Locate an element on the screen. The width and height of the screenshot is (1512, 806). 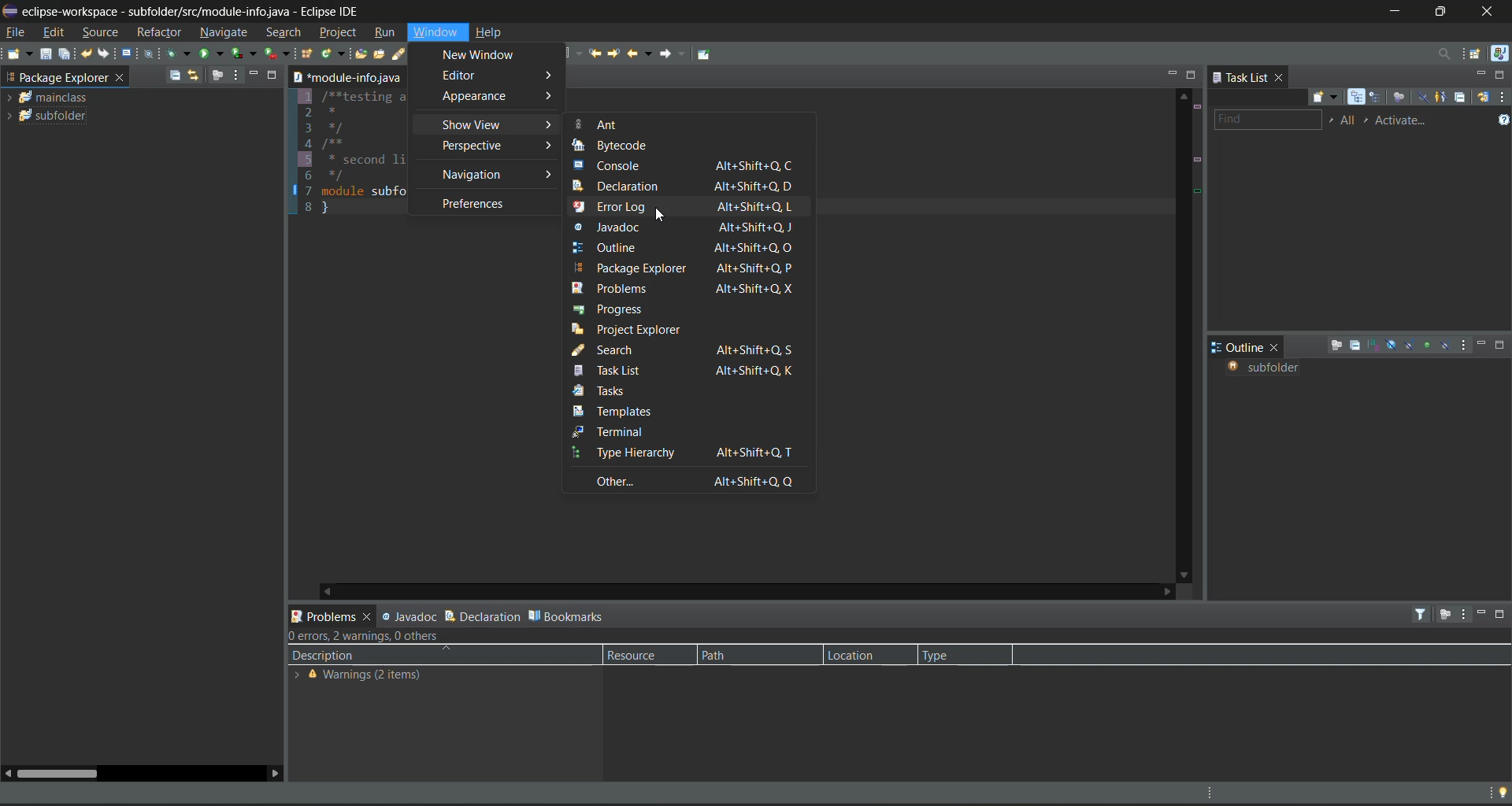
close is located at coordinates (122, 79).